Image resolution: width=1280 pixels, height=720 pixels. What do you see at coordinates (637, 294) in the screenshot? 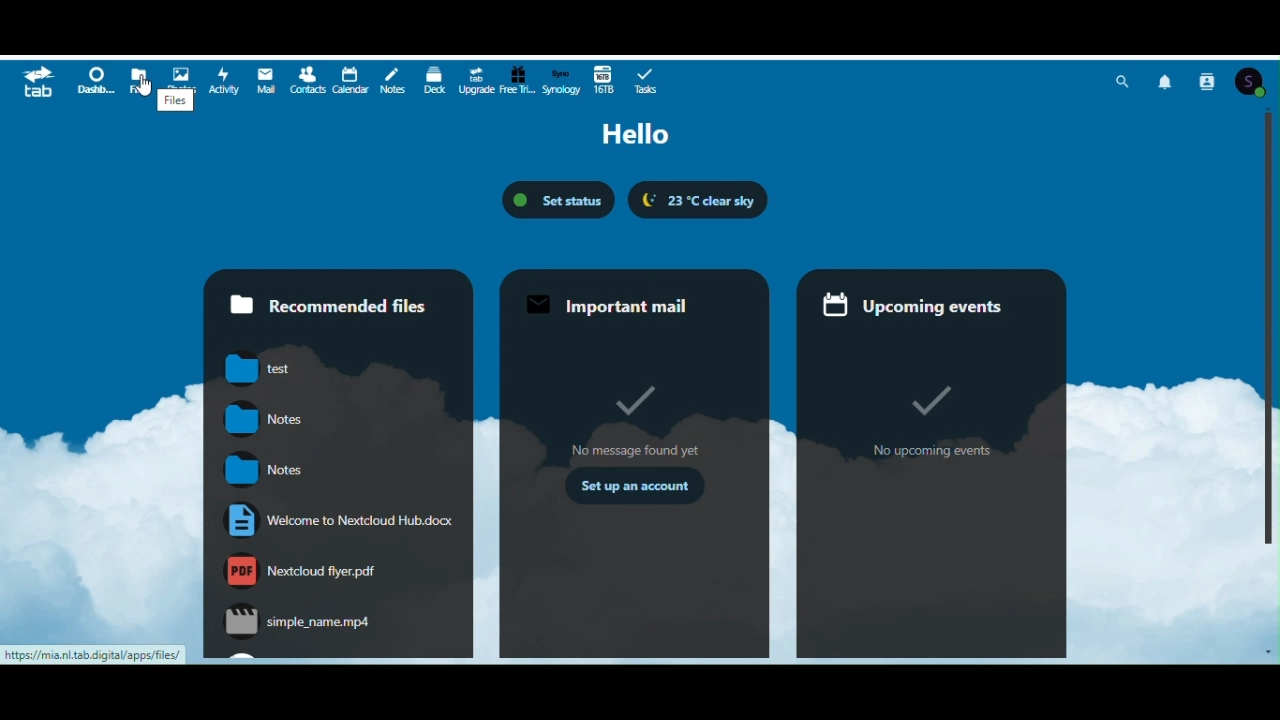
I see `Important mail` at bounding box center [637, 294].